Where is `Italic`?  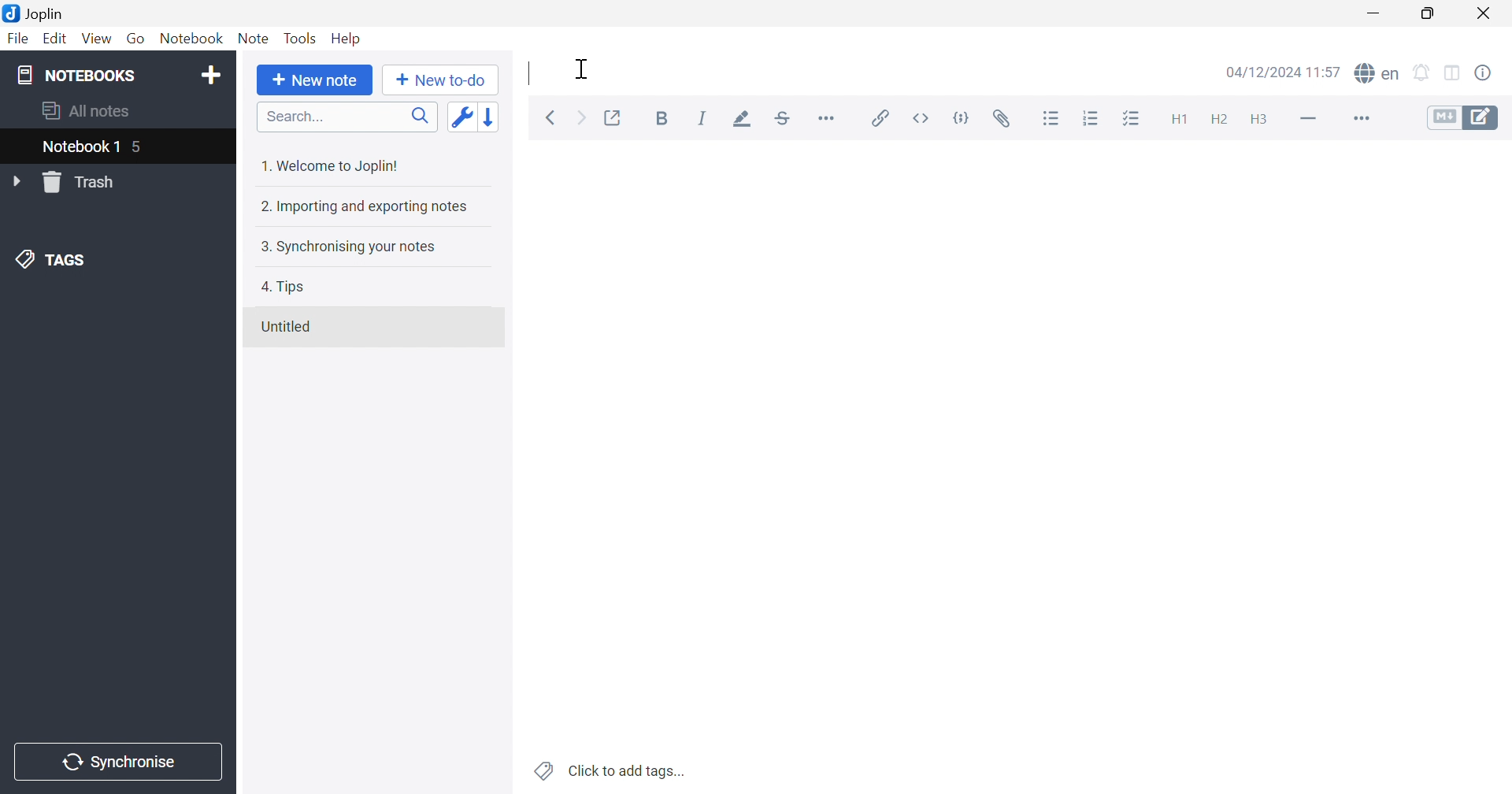
Italic is located at coordinates (702, 118).